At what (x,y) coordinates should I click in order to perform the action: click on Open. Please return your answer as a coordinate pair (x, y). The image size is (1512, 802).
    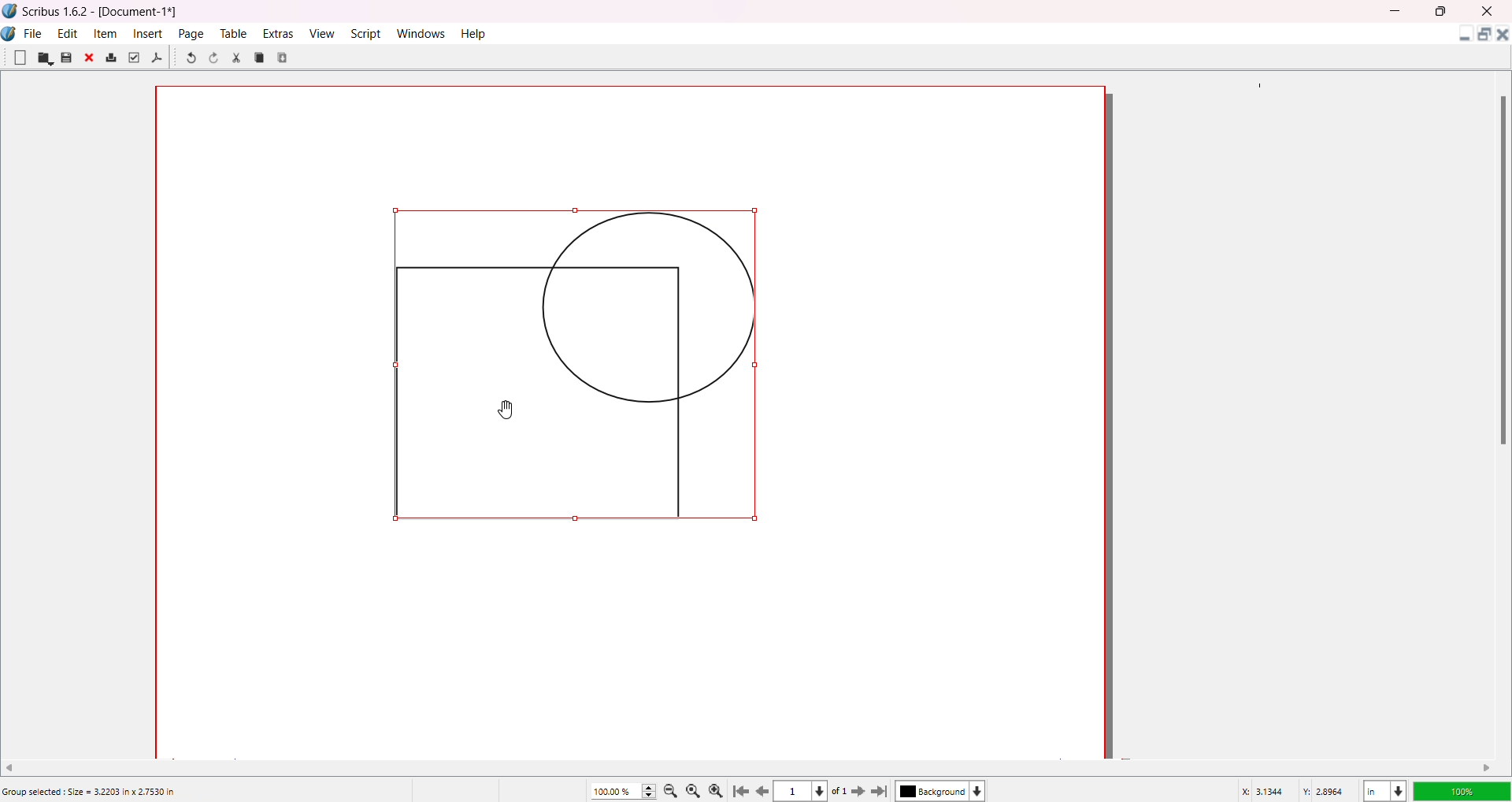
    Looking at the image, I should click on (45, 58).